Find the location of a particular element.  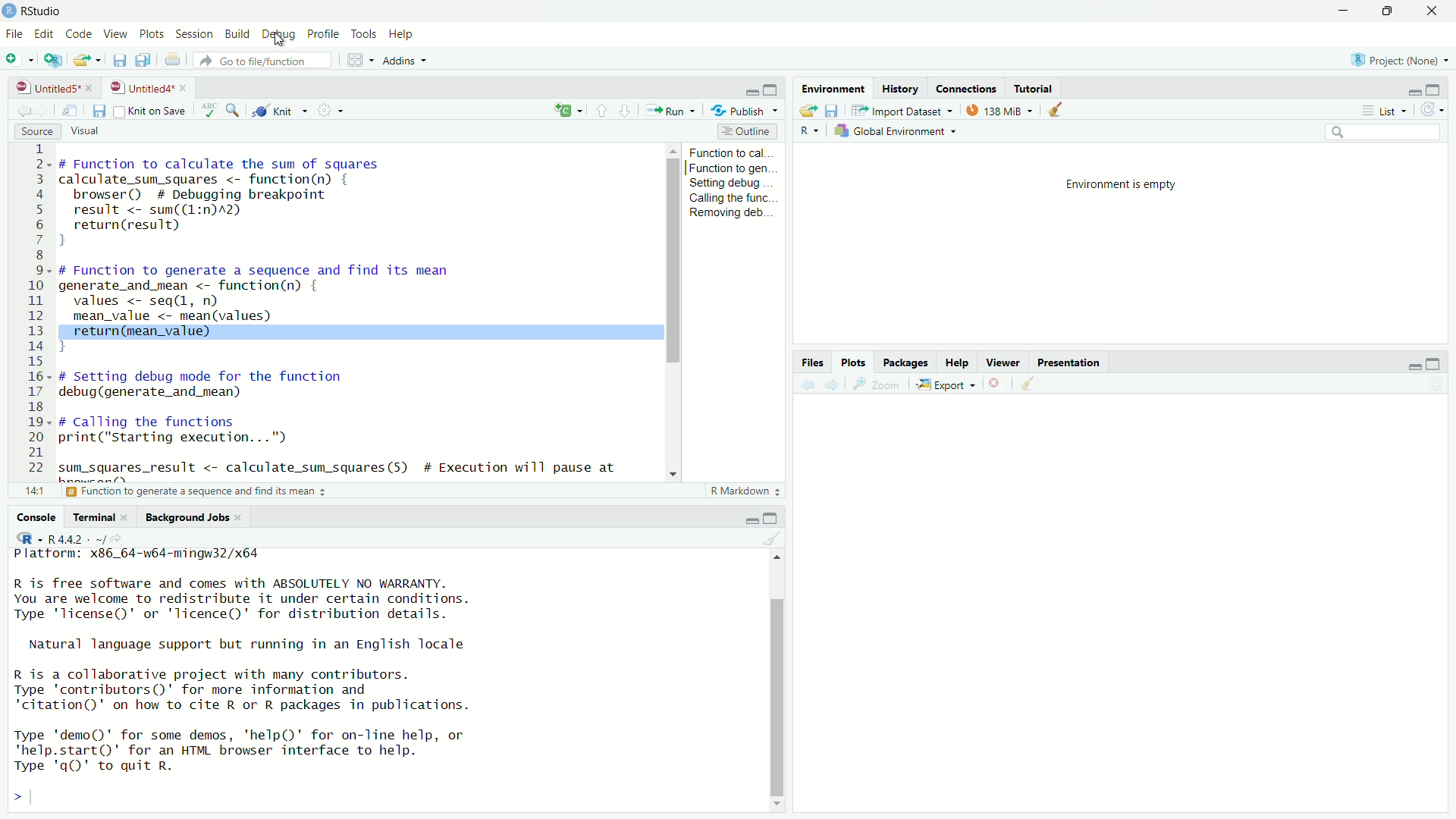

clear all plots is located at coordinates (1030, 384).